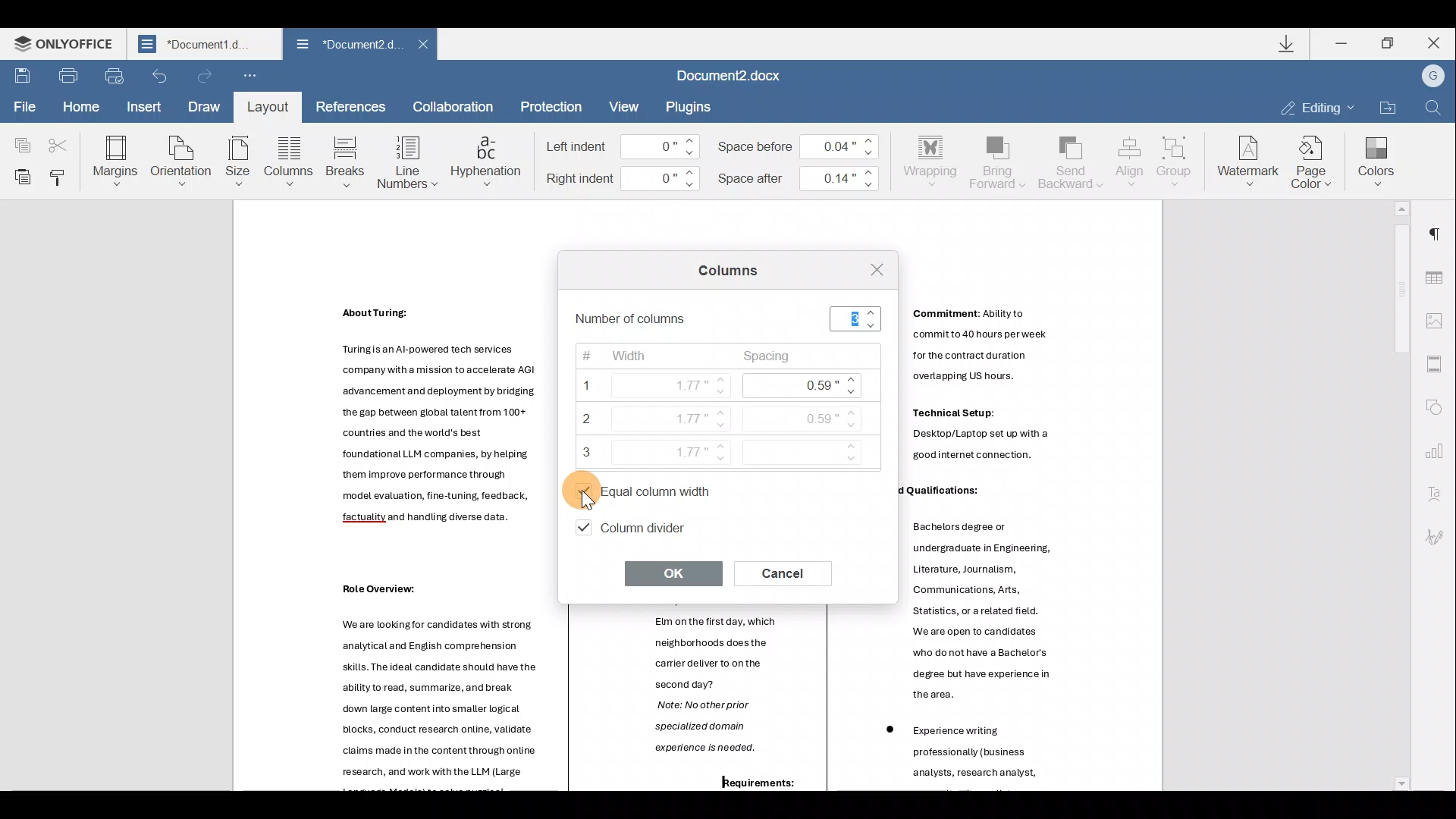 The width and height of the screenshot is (1456, 819). Describe the element at coordinates (649, 405) in the screenshot. I see `Width` at that location.